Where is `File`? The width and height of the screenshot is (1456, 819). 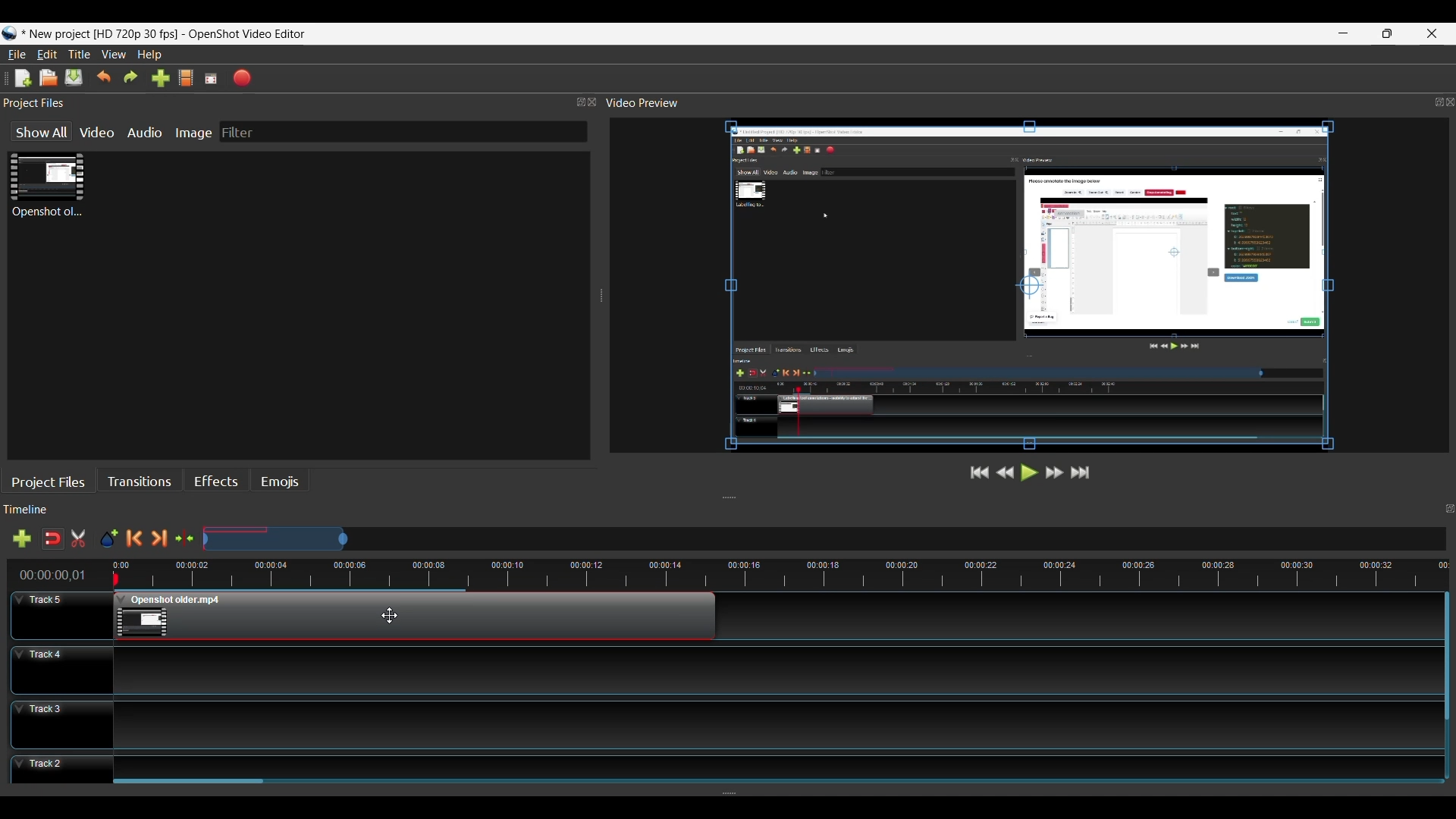
File is located at coordinates (15, 55).